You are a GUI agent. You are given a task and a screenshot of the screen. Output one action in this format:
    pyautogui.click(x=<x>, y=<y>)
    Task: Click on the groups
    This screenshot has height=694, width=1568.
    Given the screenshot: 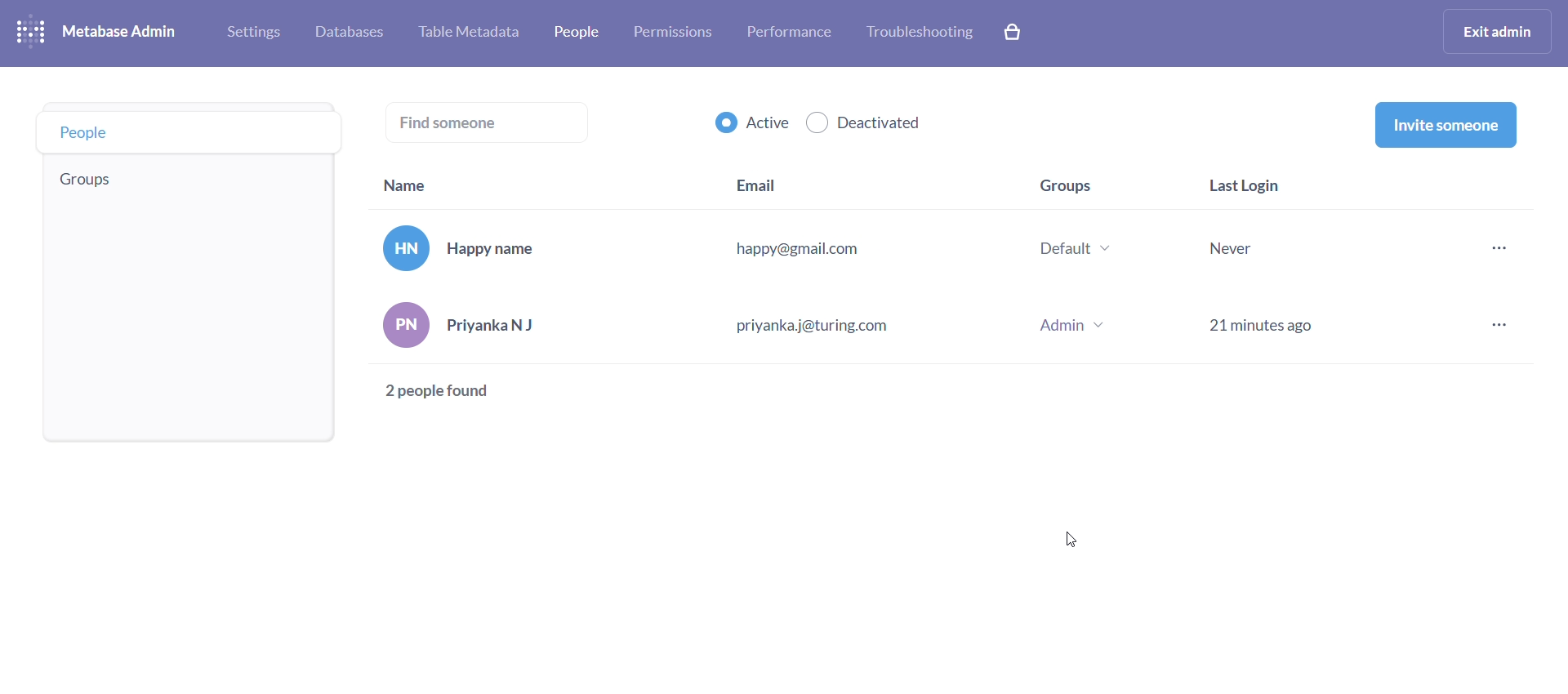 What is the action you would take?
    pyautogui.click(x=1064, y=182)
    